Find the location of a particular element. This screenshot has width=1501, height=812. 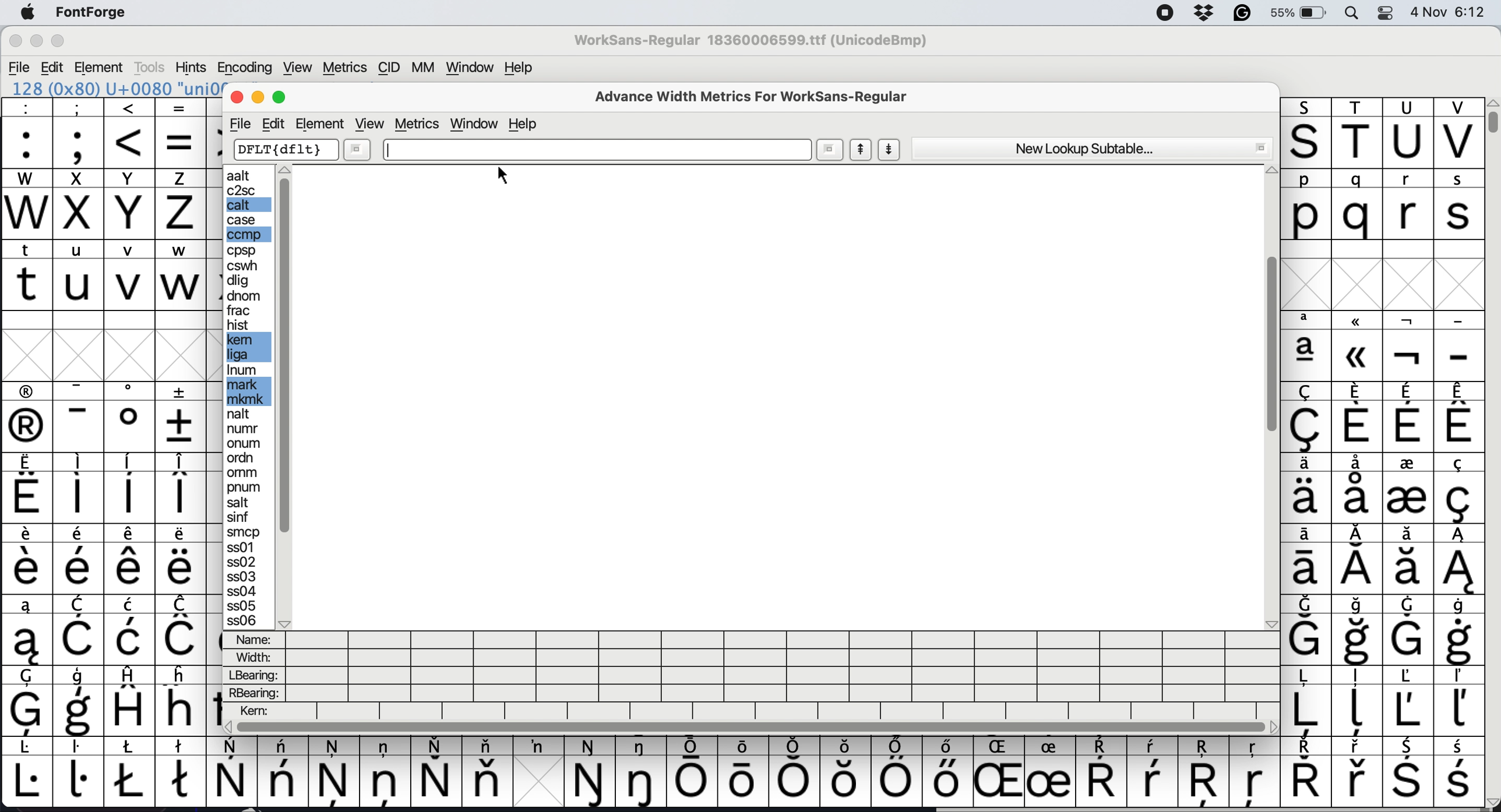

special characters is located at coordinates (103, 569).